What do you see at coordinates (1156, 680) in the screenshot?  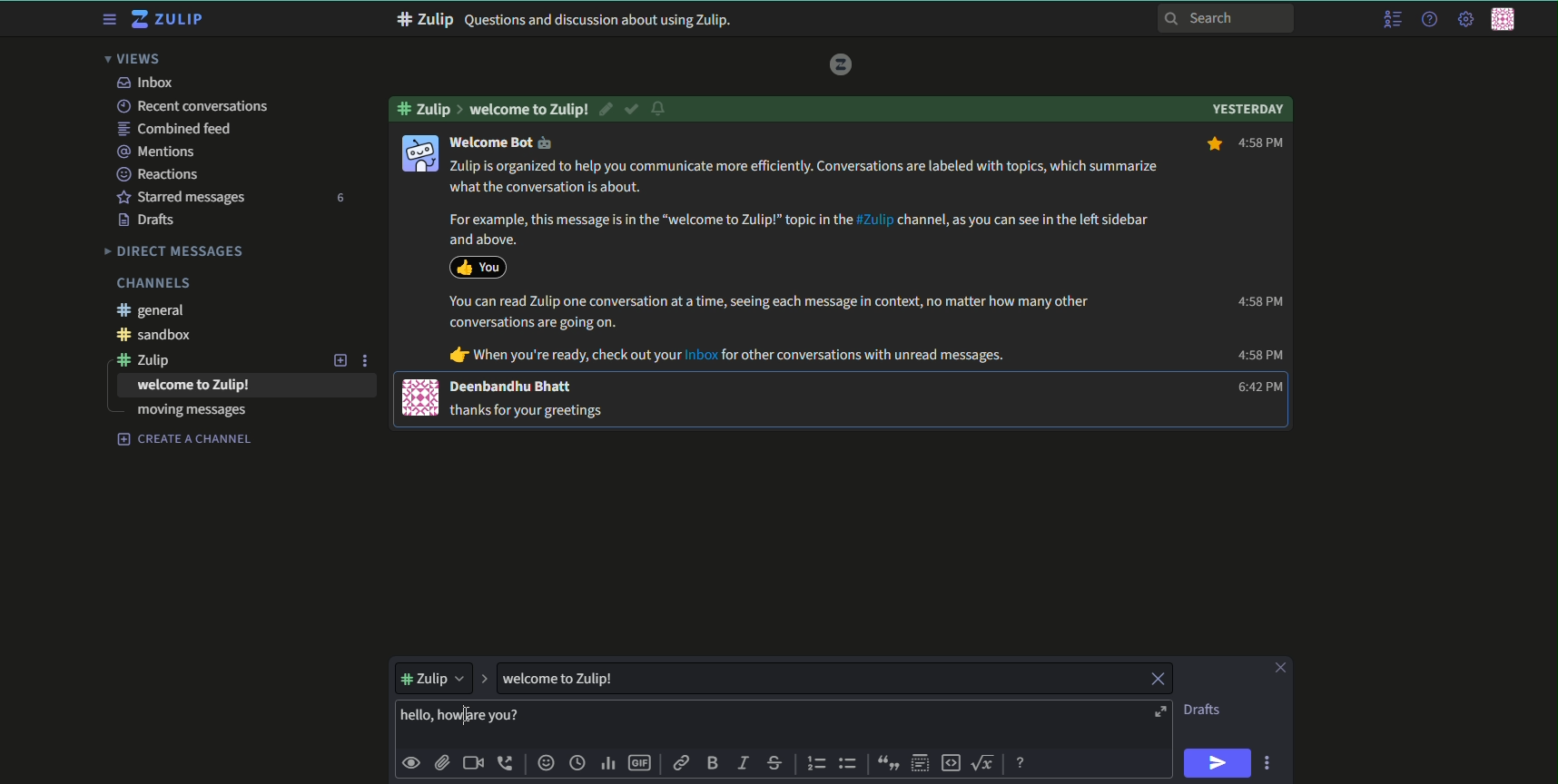 I see `close` at bounding box center [1156, 680].